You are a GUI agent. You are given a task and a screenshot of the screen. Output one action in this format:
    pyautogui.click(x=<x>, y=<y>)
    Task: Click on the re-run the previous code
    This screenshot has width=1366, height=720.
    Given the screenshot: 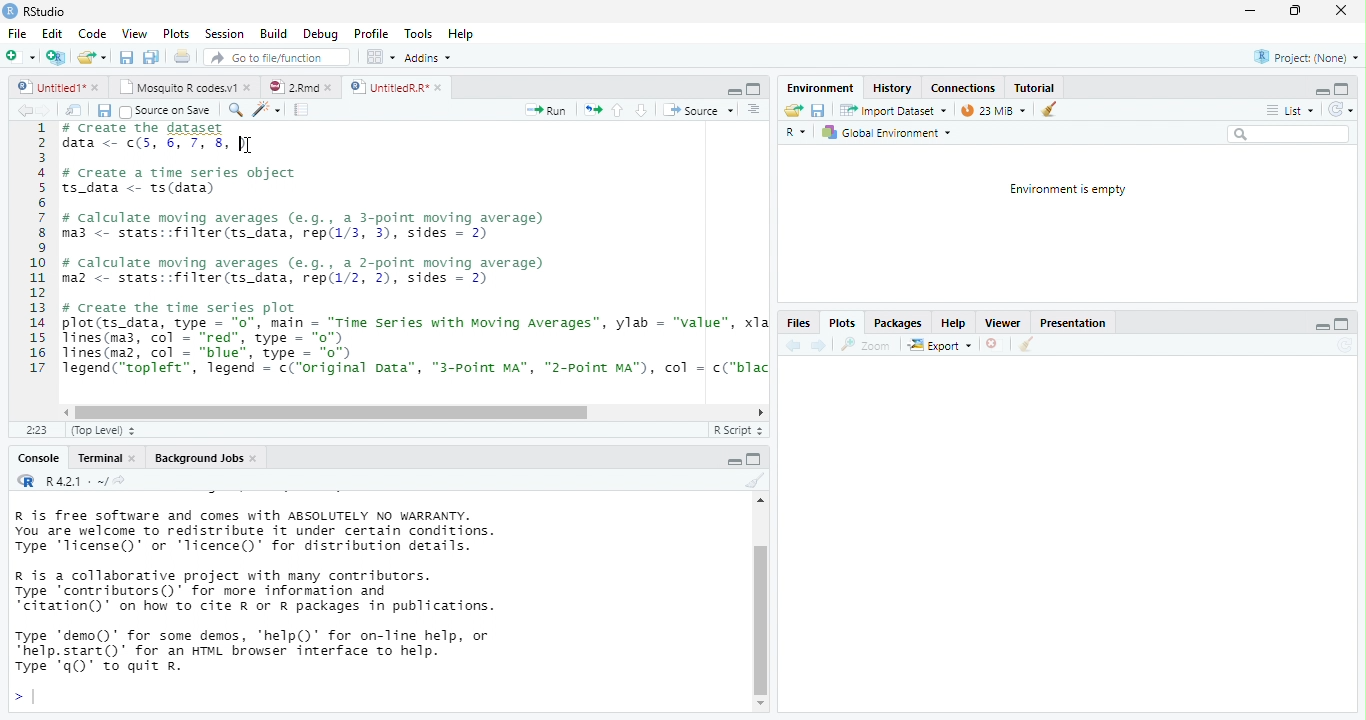 What is the action you would take?
    pyautogui.click(x=593, y=110)
    